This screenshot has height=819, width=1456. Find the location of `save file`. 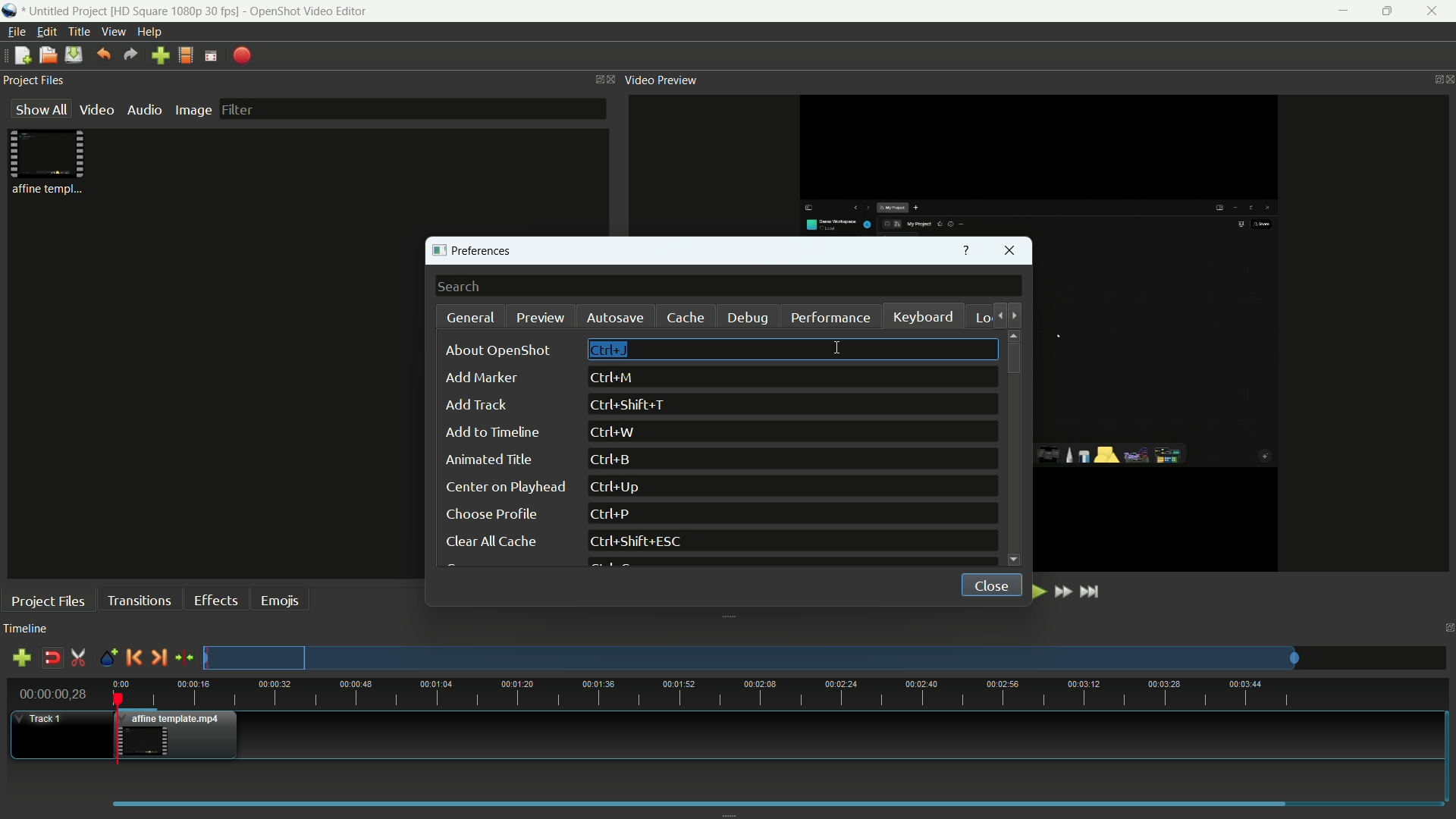

save file is located at coordinates (74, 55).